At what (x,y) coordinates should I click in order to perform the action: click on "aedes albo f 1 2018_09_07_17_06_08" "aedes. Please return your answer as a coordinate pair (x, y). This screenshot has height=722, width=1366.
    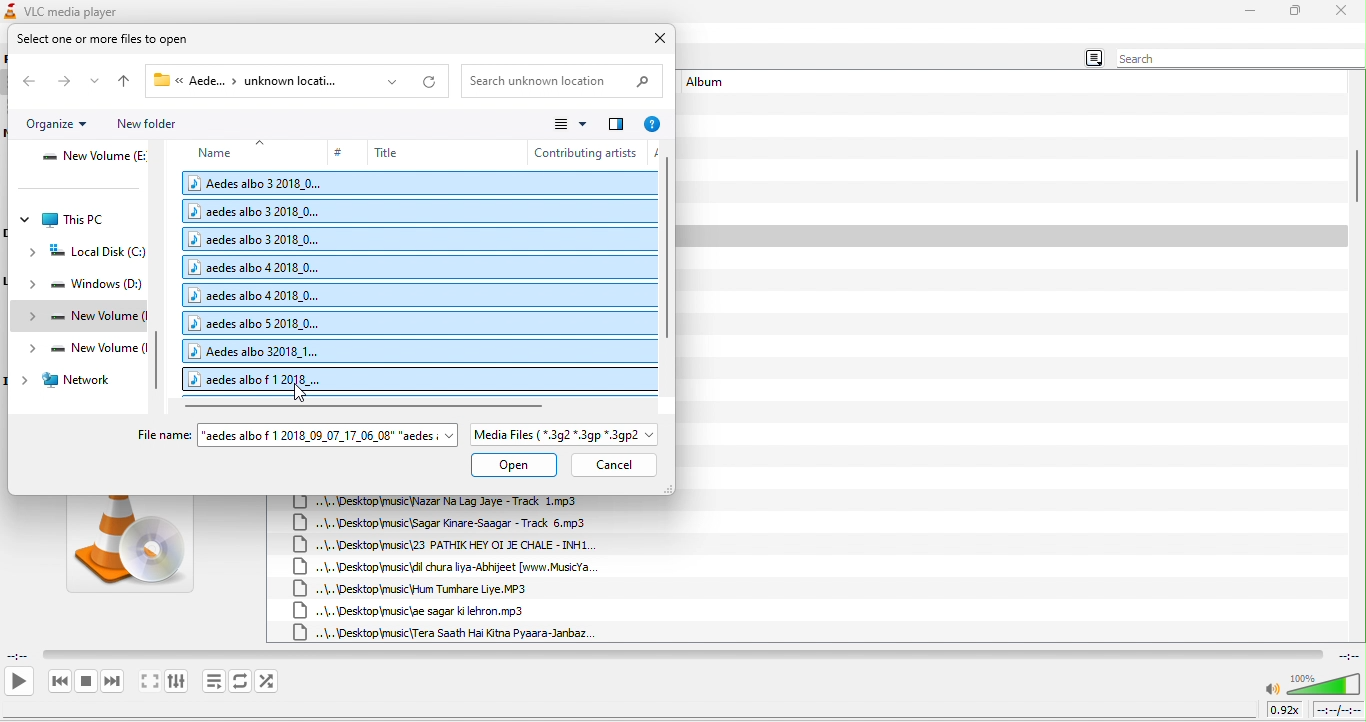
    Looking at the image, I should click on (328, 434).